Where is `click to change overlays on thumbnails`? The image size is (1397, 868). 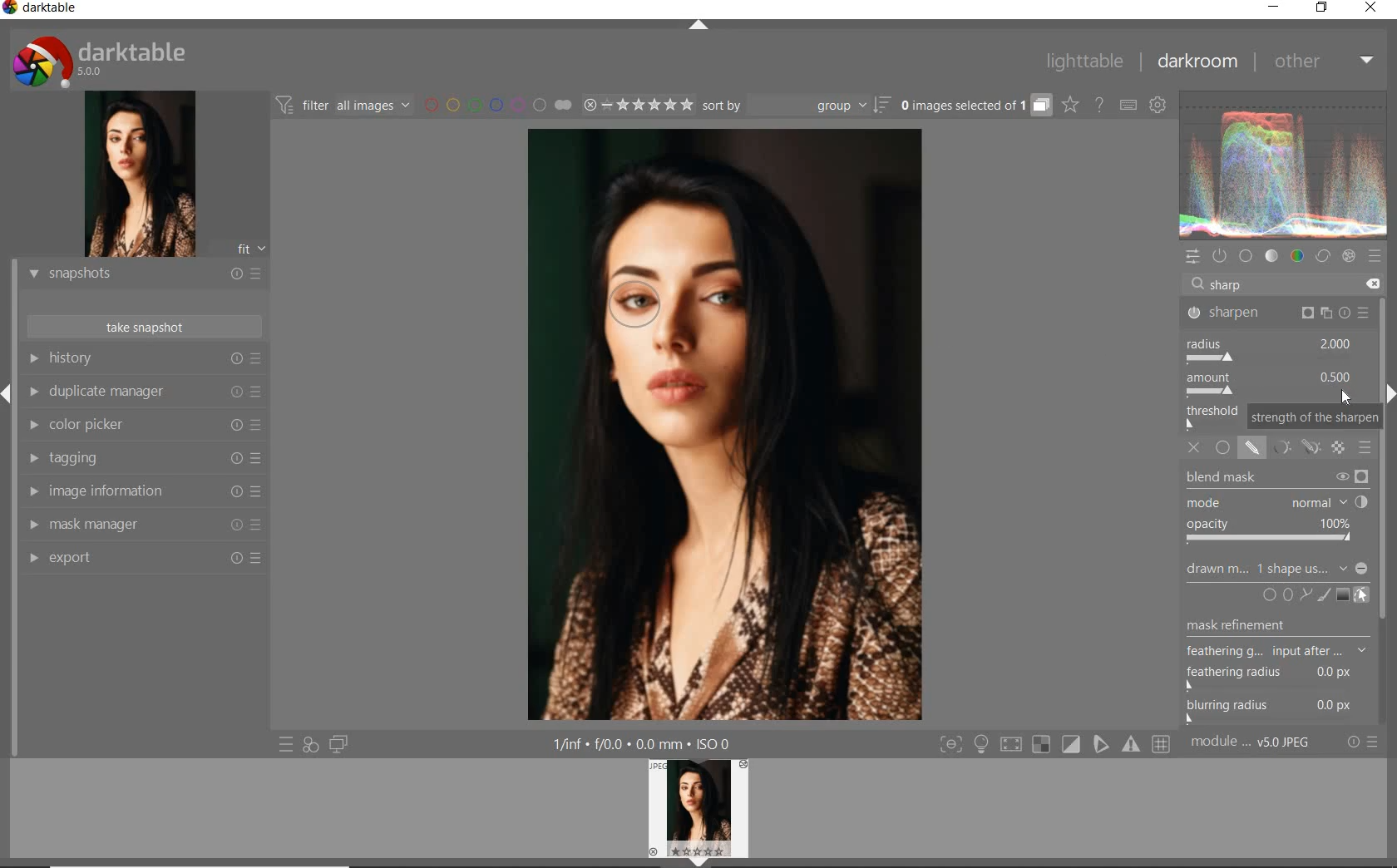 click to change overlays on thumbnails is located at coordinates (1071, 106).